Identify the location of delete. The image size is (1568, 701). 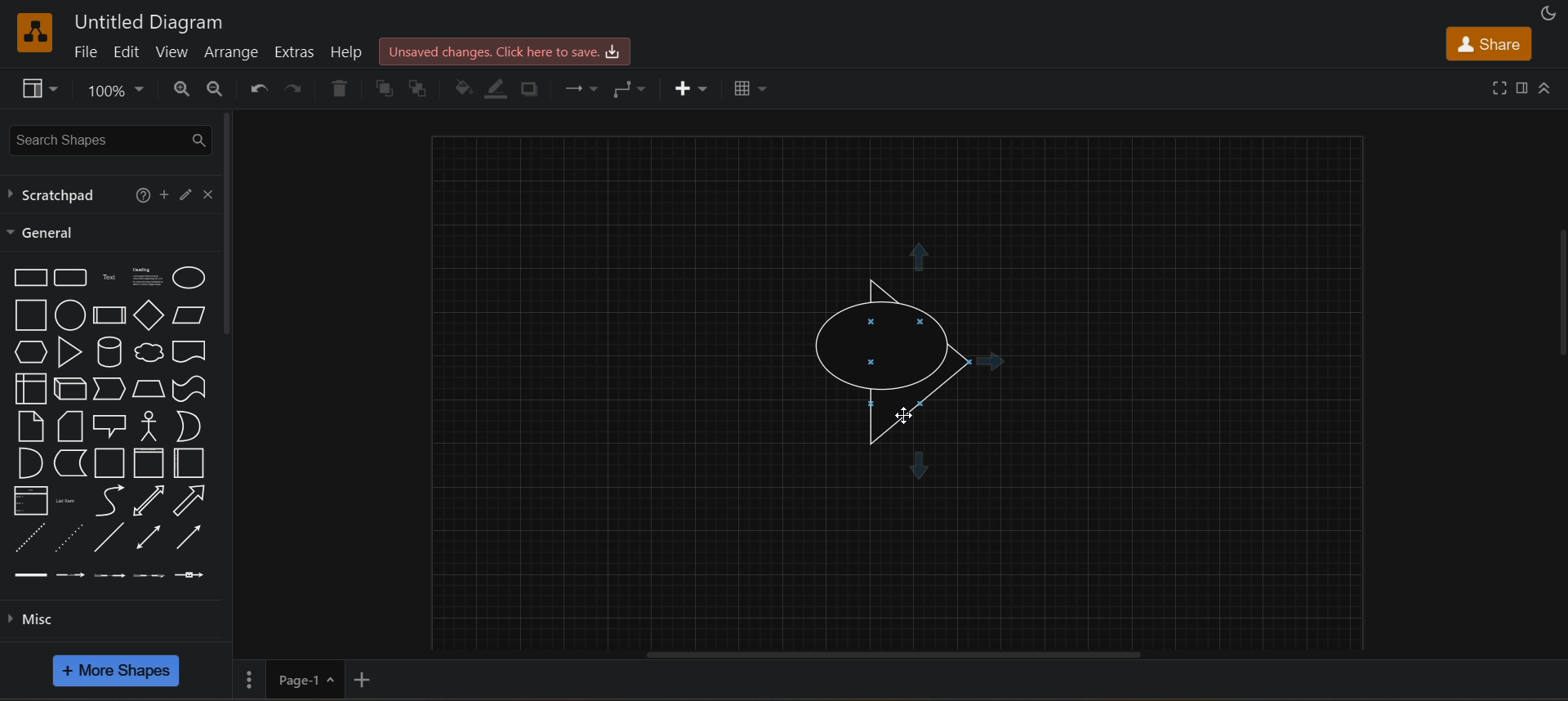
(338, 87).